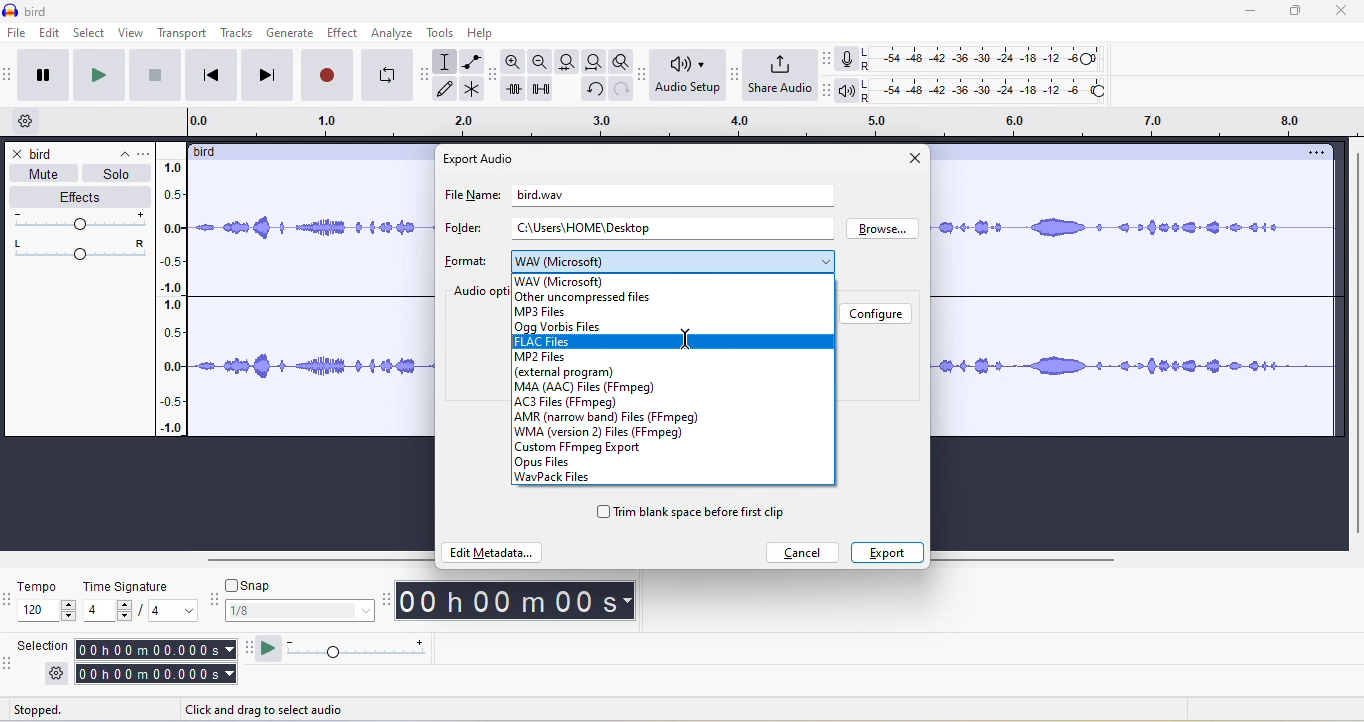 This screenshot has width=1364, height=722. I want to click on envelope tool, so click(470, 62).